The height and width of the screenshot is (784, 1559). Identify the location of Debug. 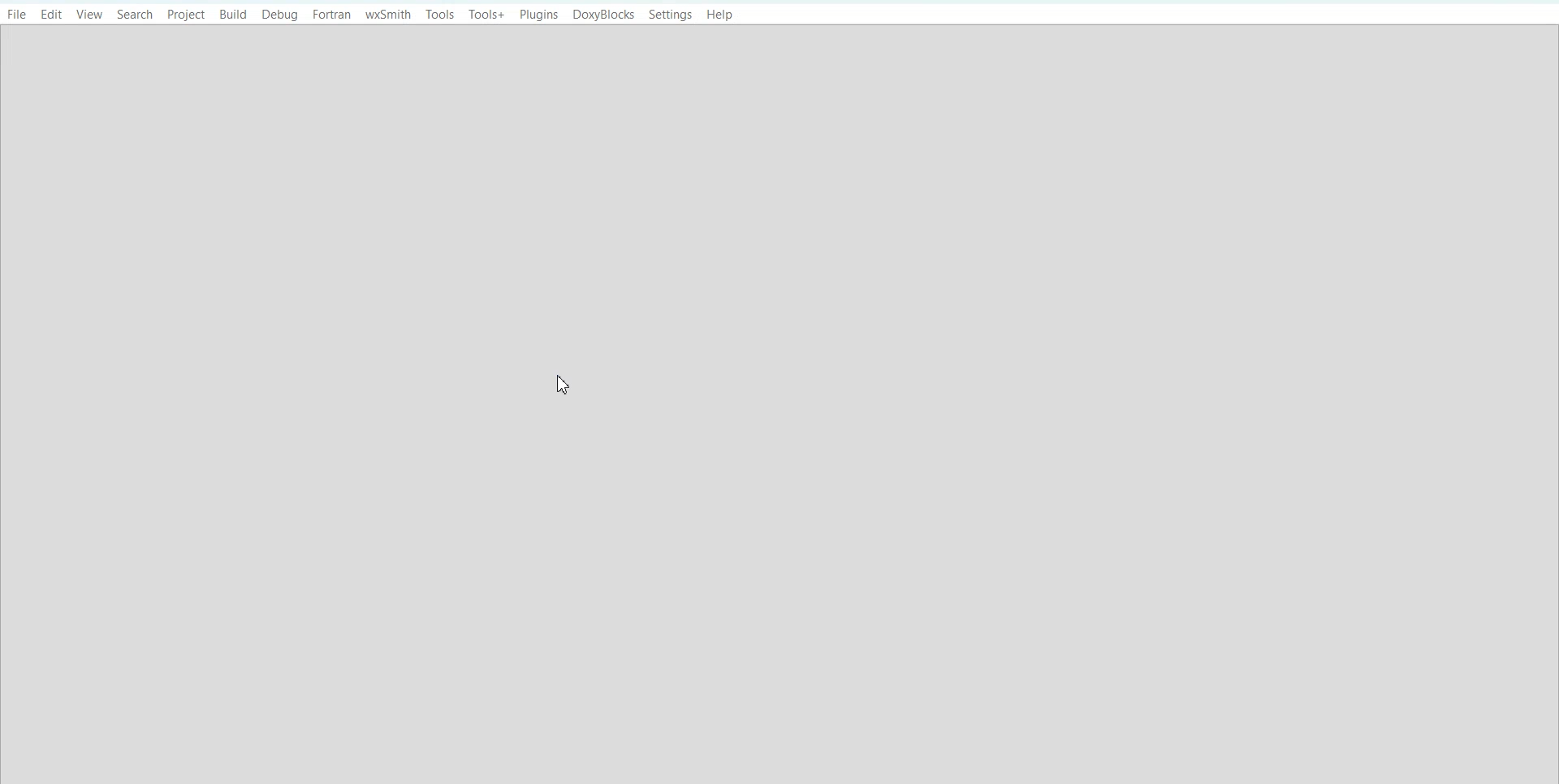
(279, 15).